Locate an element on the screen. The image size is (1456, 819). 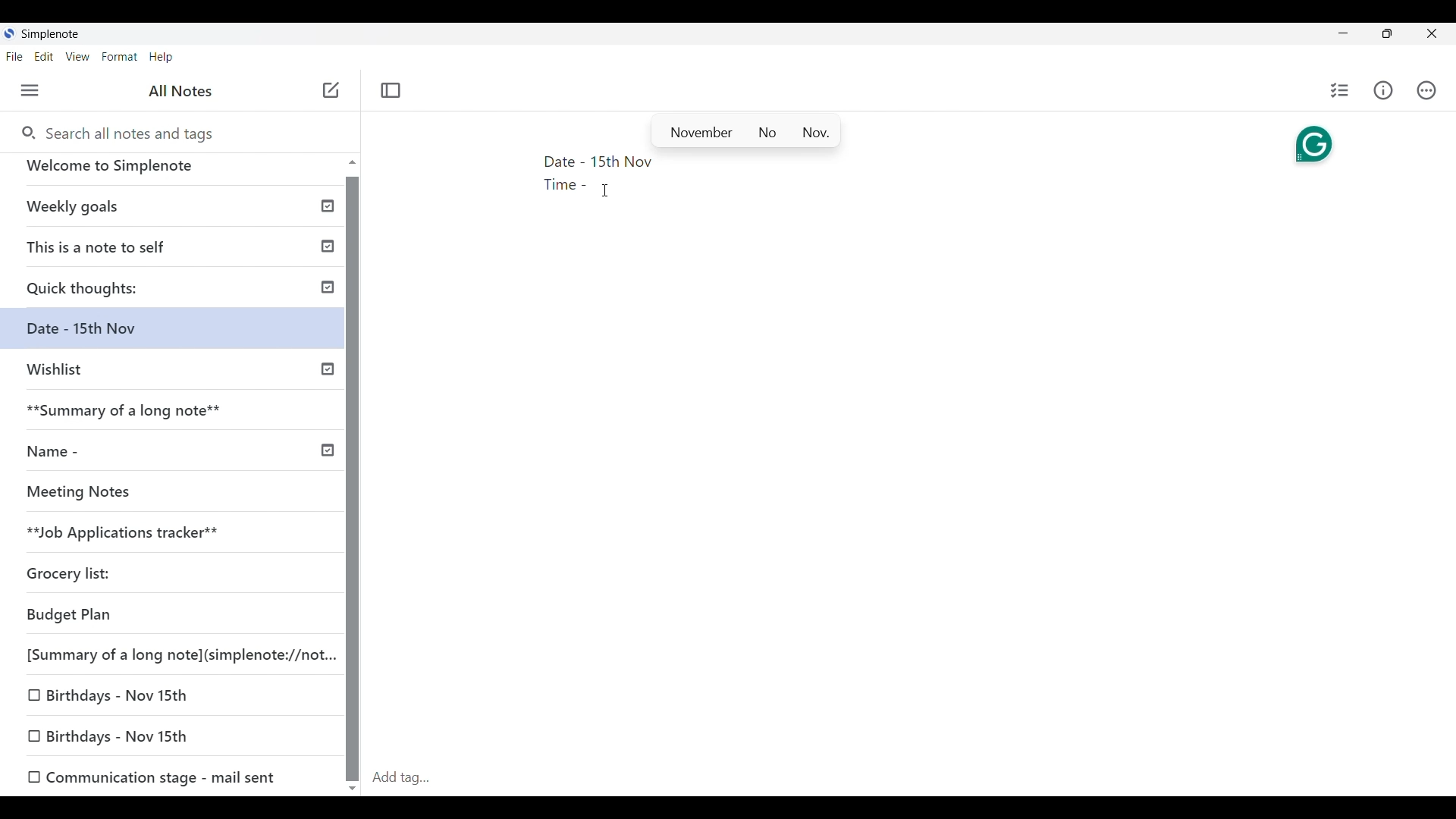
Software name is located at coordinates (50, 34).